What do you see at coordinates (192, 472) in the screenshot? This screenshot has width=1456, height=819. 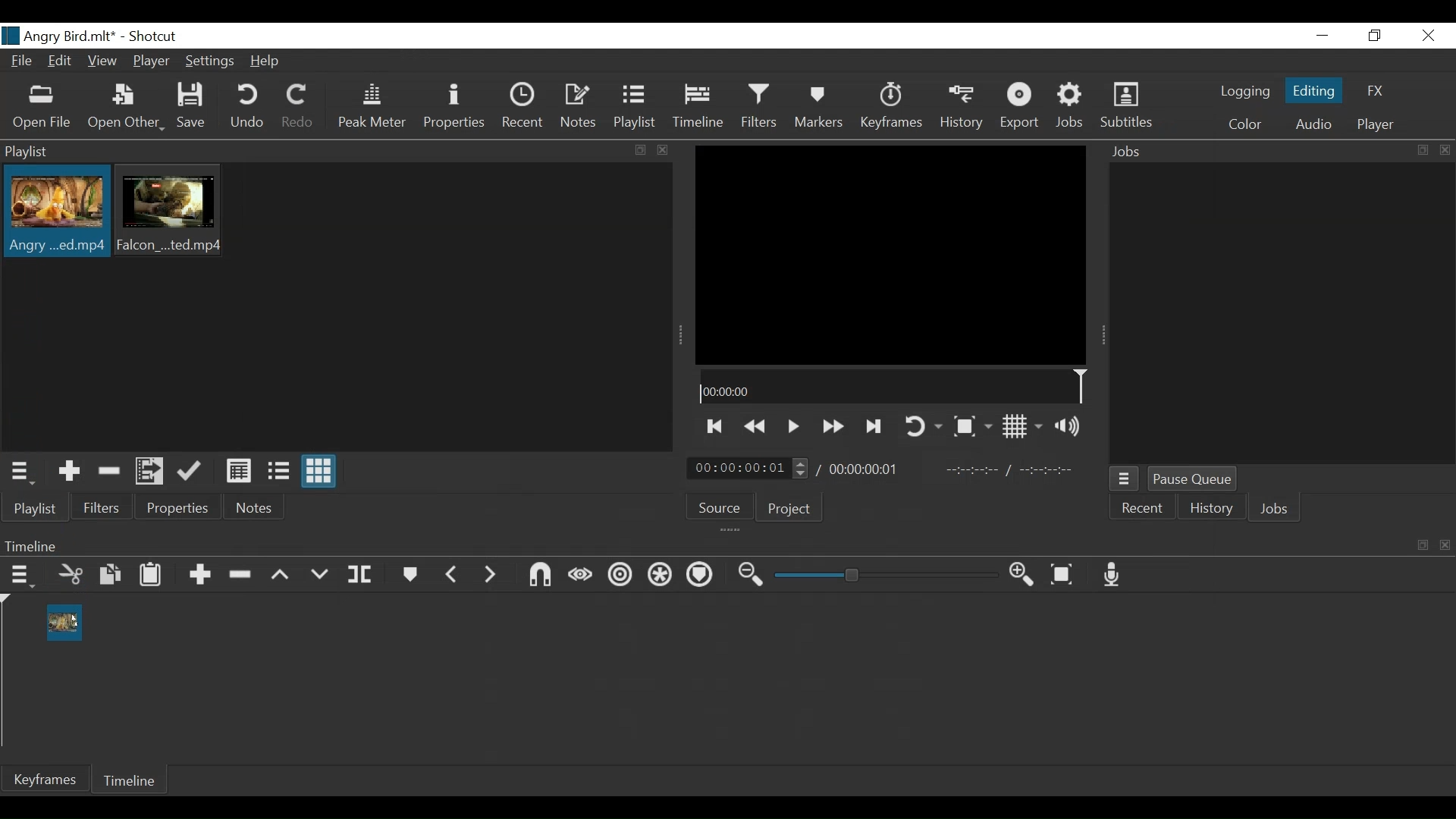 I see `Update` at bounding box center [192, 472].